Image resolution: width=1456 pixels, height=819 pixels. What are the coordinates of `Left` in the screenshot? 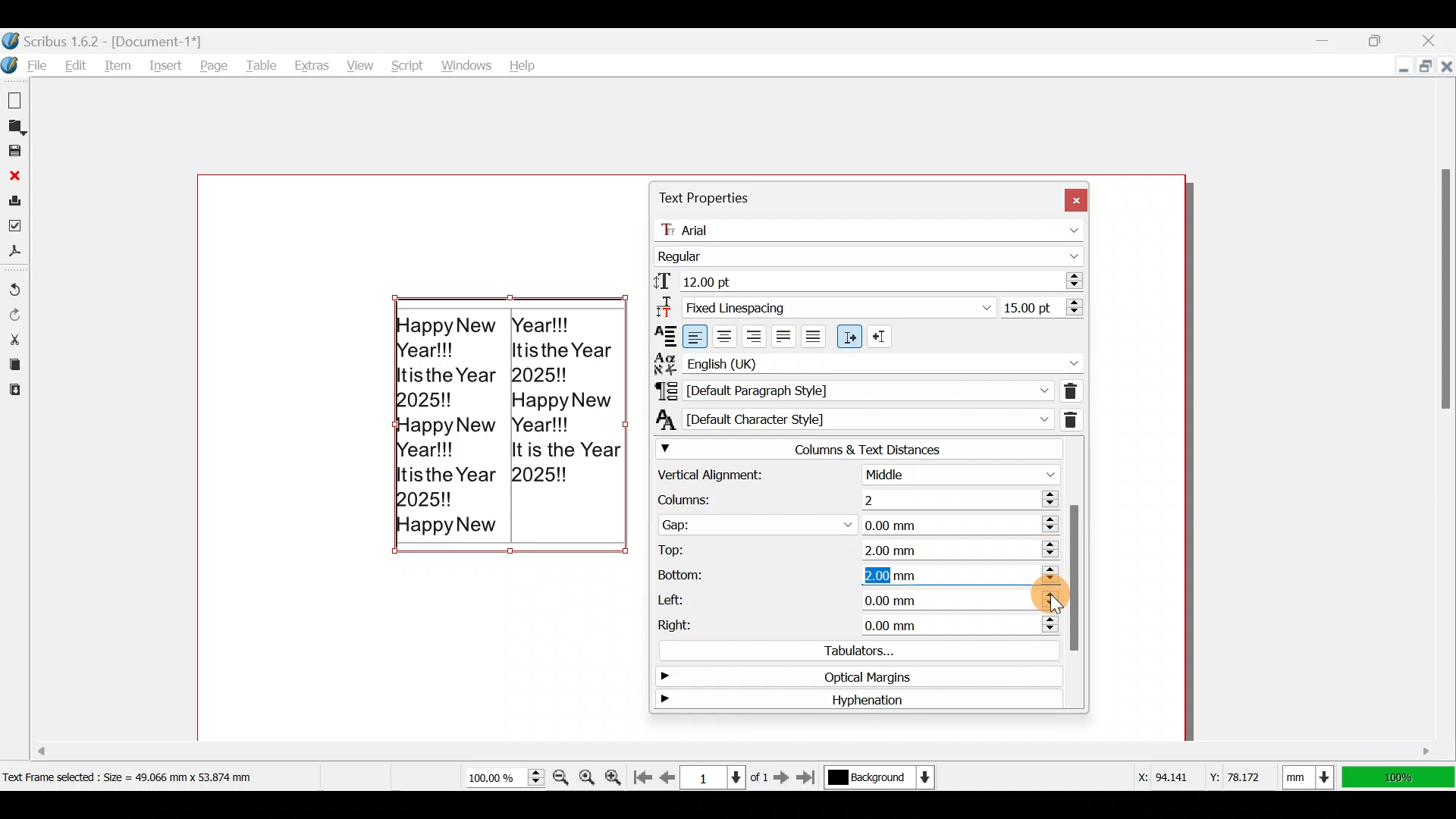 It's located at (832, 599).